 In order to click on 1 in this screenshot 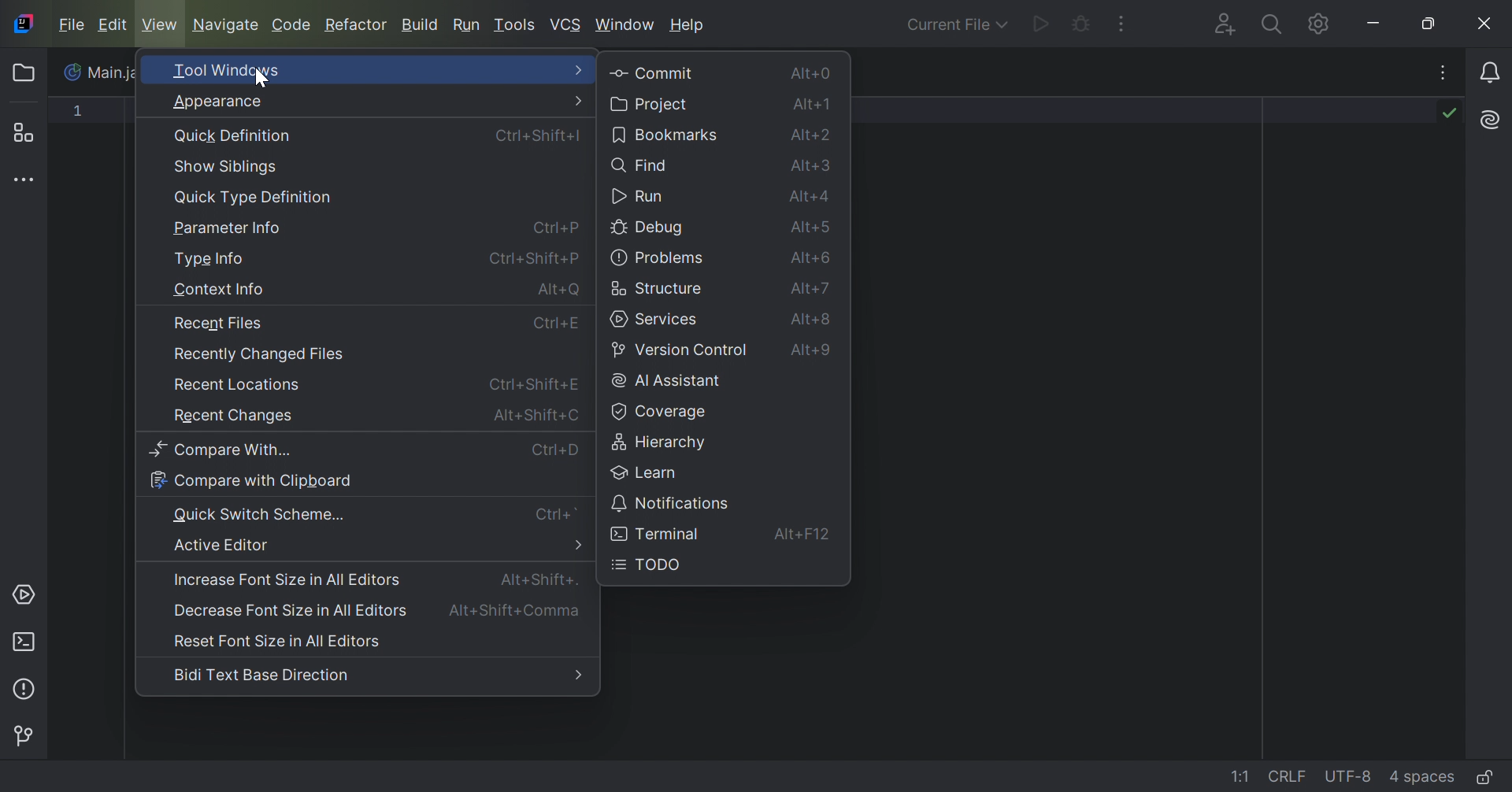, I will do `click(80, 114)`.